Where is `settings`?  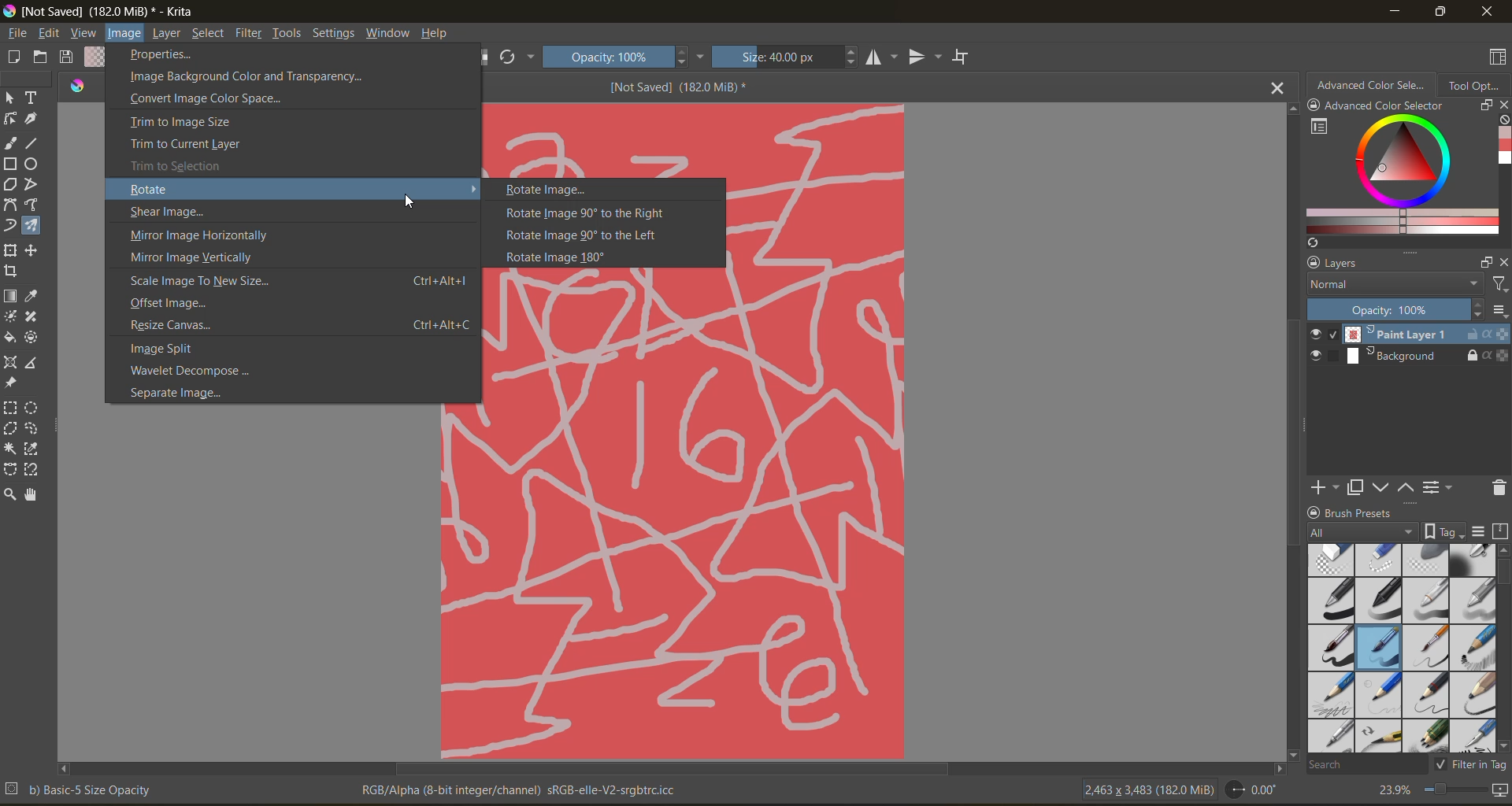 settings is located at coordinates (334, 33).